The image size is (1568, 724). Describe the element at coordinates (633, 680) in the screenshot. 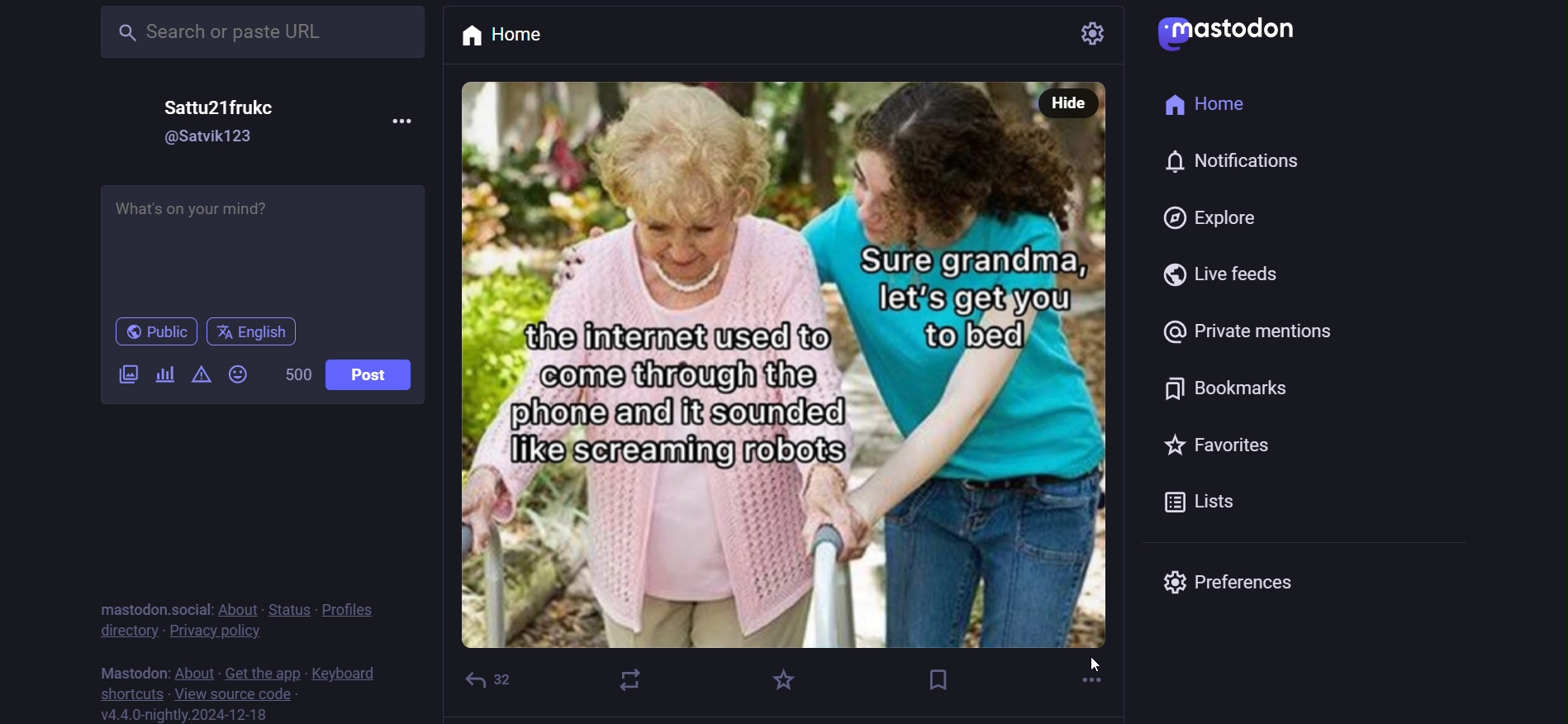

I see `boost` at that location.